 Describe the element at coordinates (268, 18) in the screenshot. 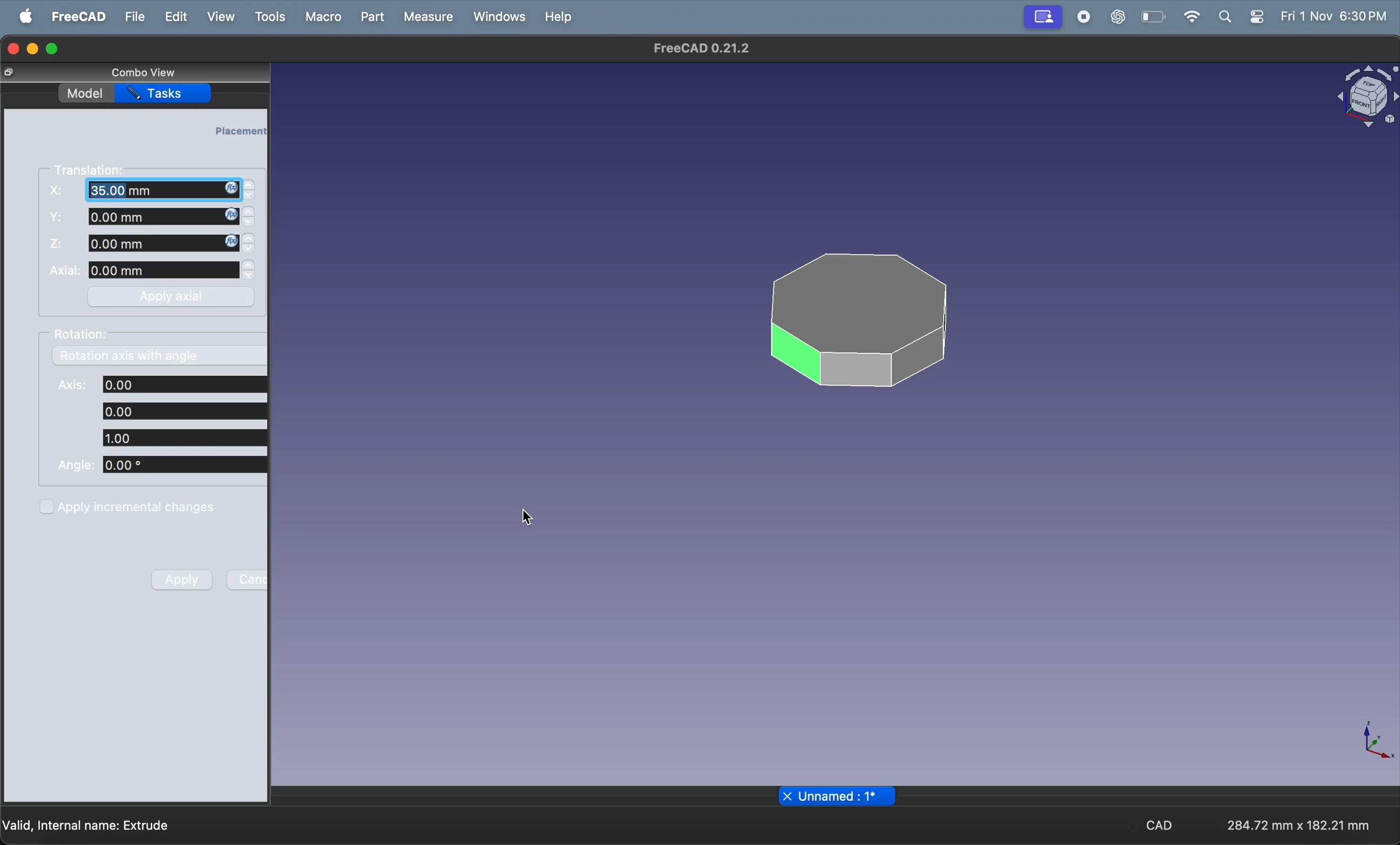

I see `tools` at that location.